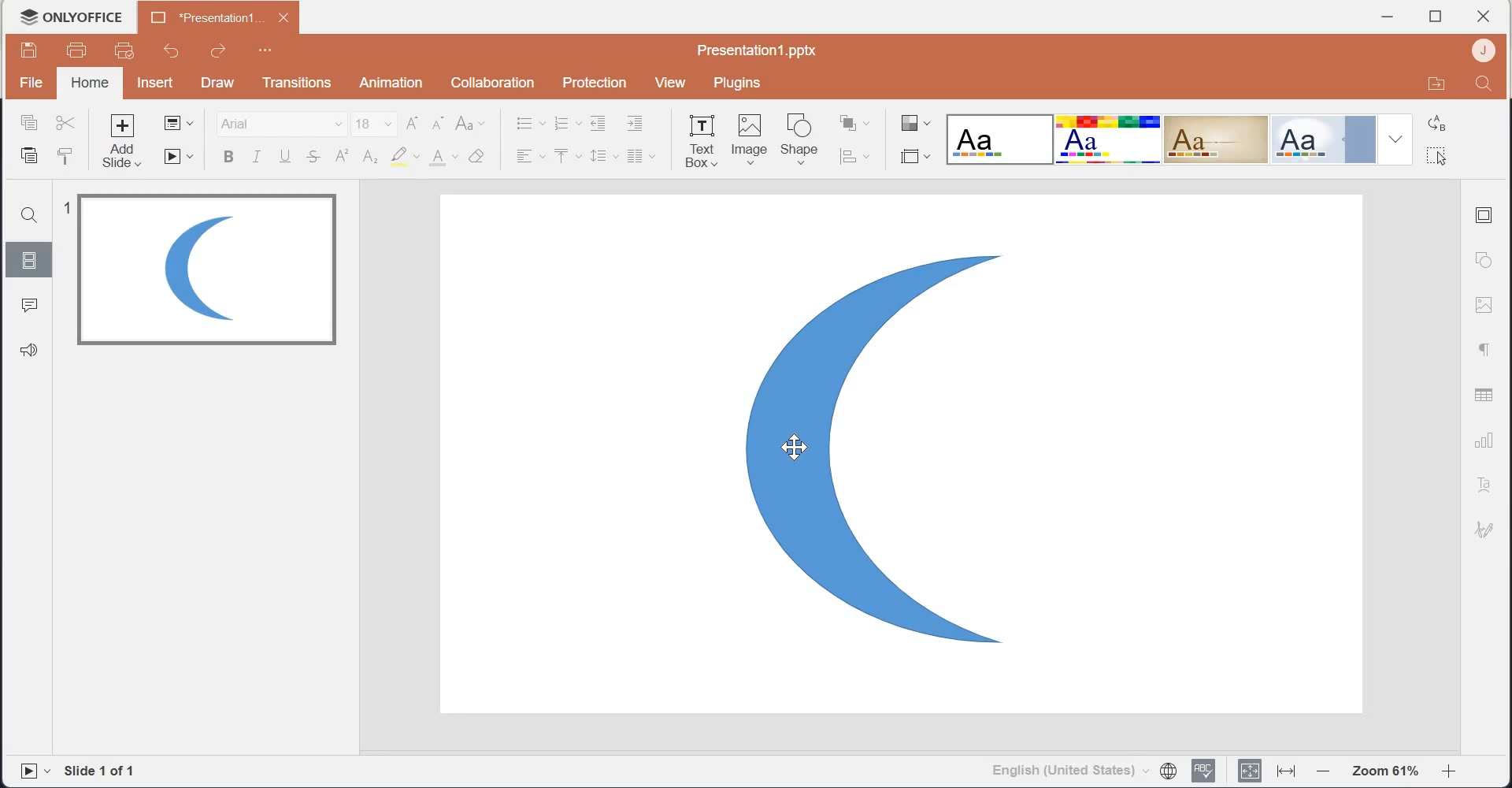 The height and width of the screenshot is (788, 1512). I want to click on font size, so click(376, 125).